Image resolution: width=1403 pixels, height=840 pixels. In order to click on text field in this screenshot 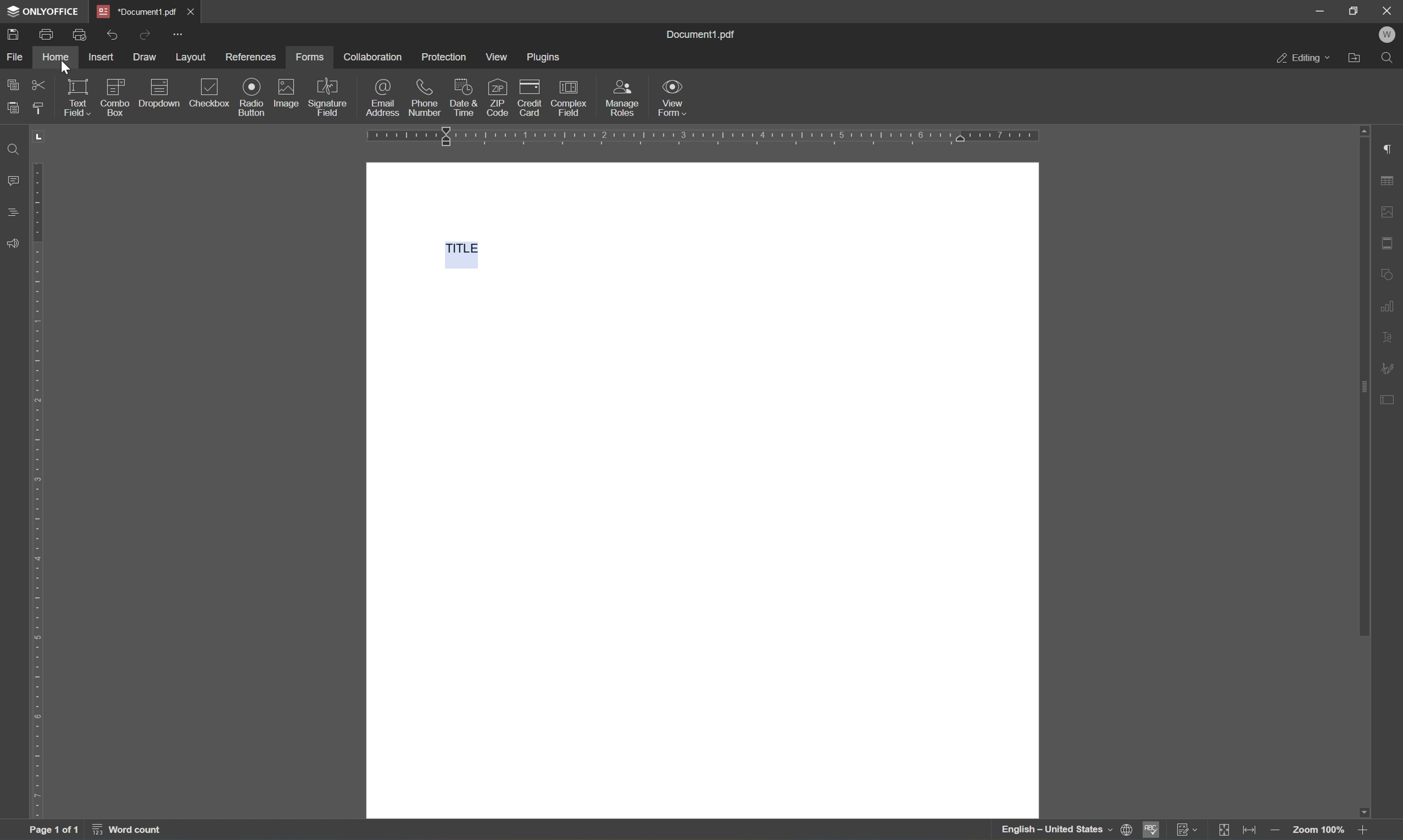, I will do `click(77, 96)`.